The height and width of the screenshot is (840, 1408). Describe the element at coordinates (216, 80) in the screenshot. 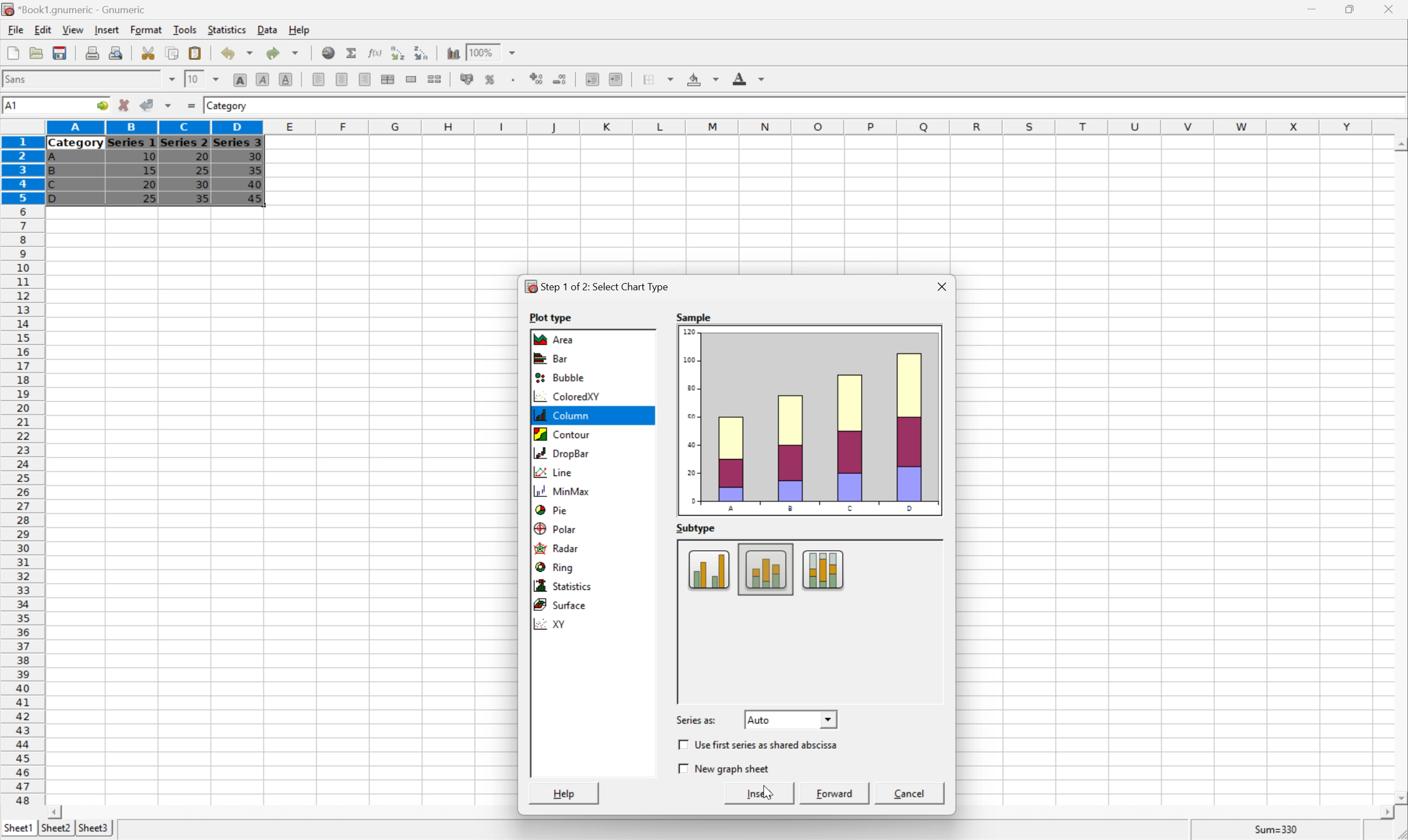

I see `Drop Down` at that location.